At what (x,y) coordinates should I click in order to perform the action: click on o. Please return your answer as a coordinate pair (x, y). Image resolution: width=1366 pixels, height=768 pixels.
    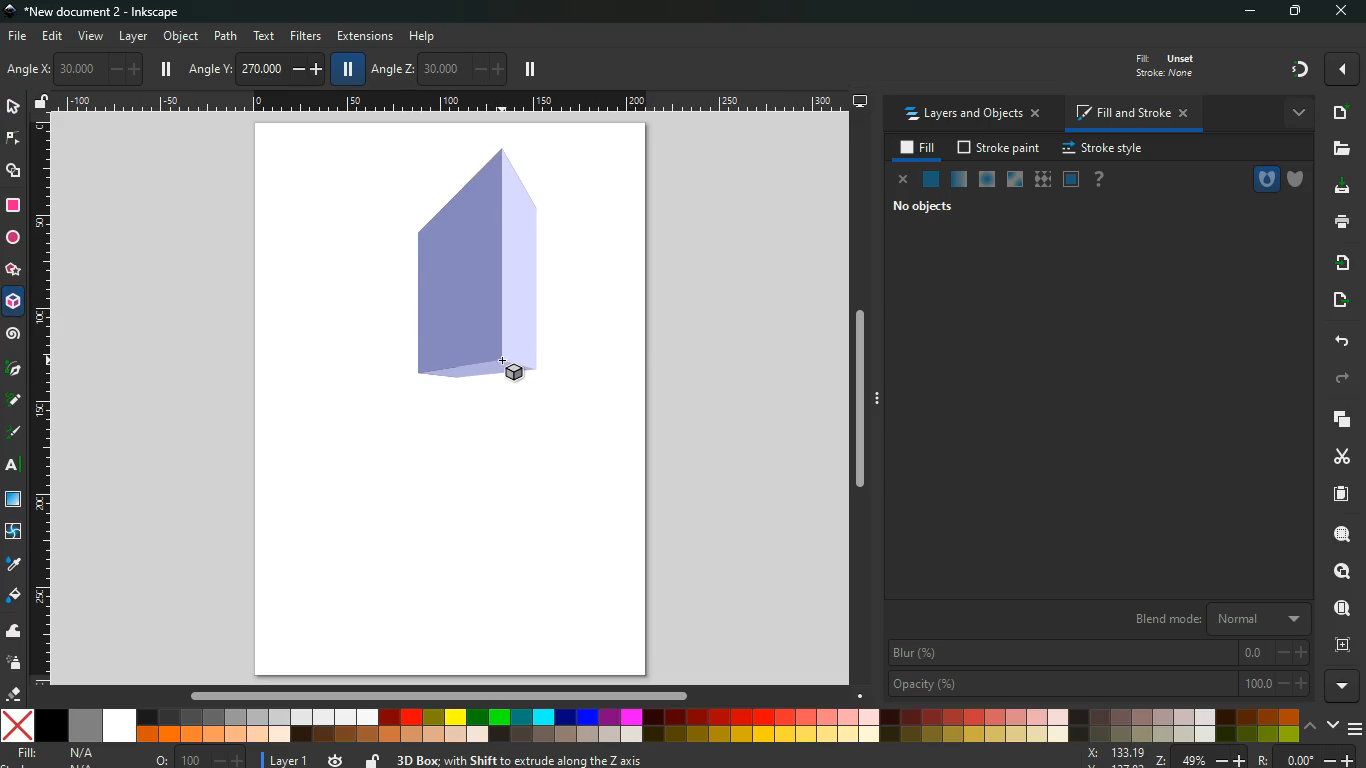
    Looking at the image, I should click on (196, 758).